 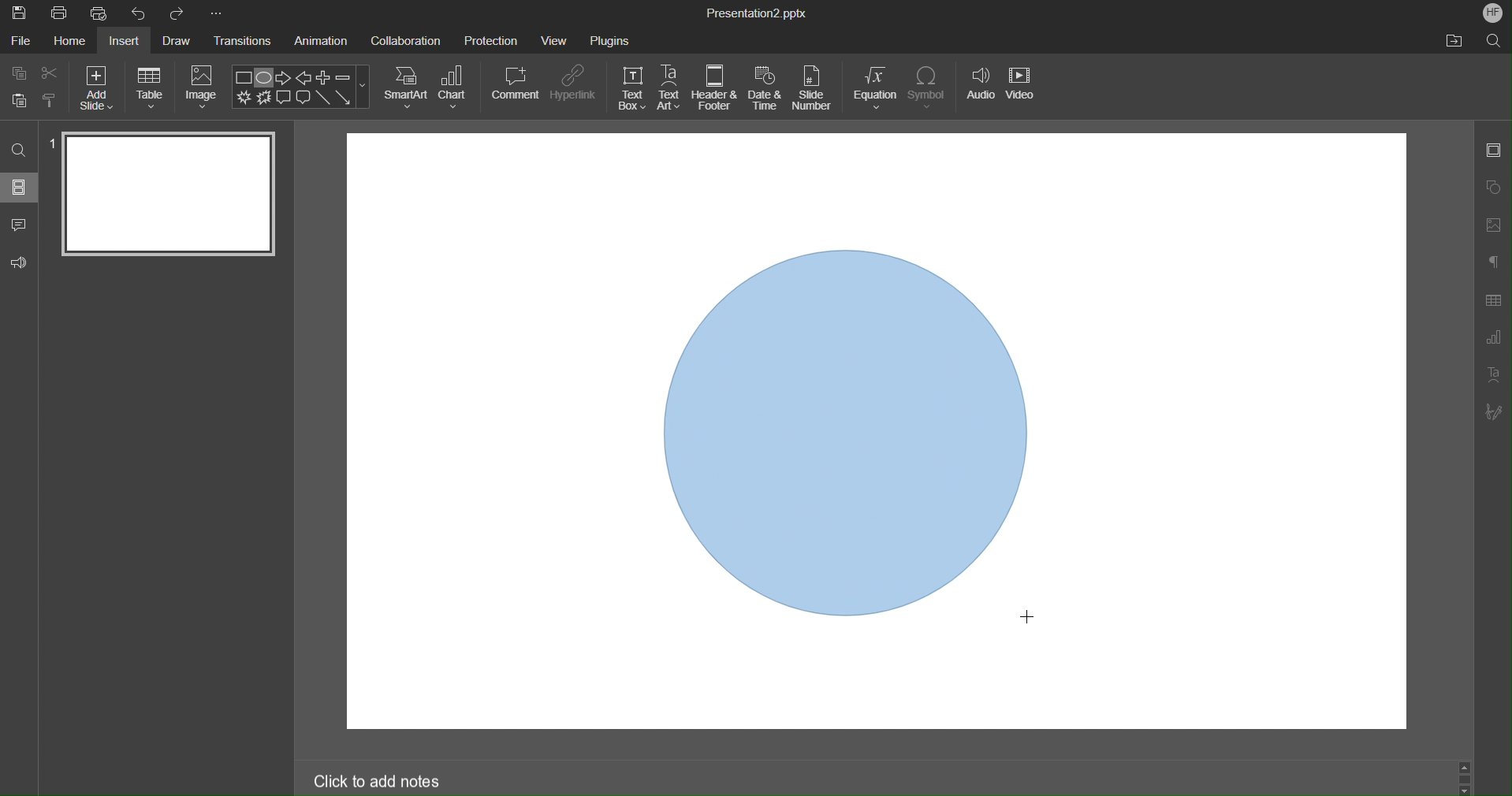 I want to click on Video, so click(x=1023, y=90).